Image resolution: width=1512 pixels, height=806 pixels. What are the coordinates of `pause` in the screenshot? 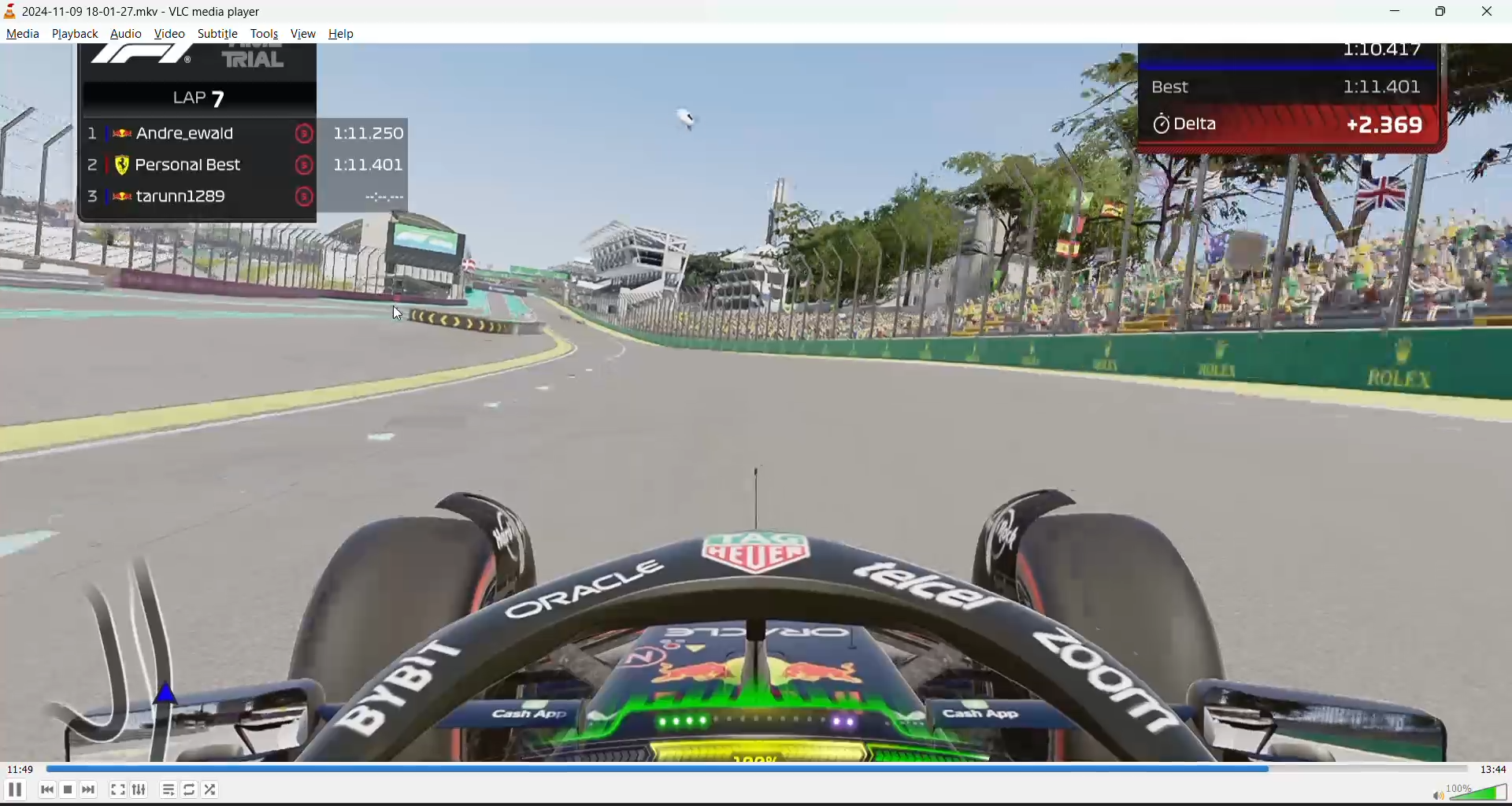 It's located at (11, 793).